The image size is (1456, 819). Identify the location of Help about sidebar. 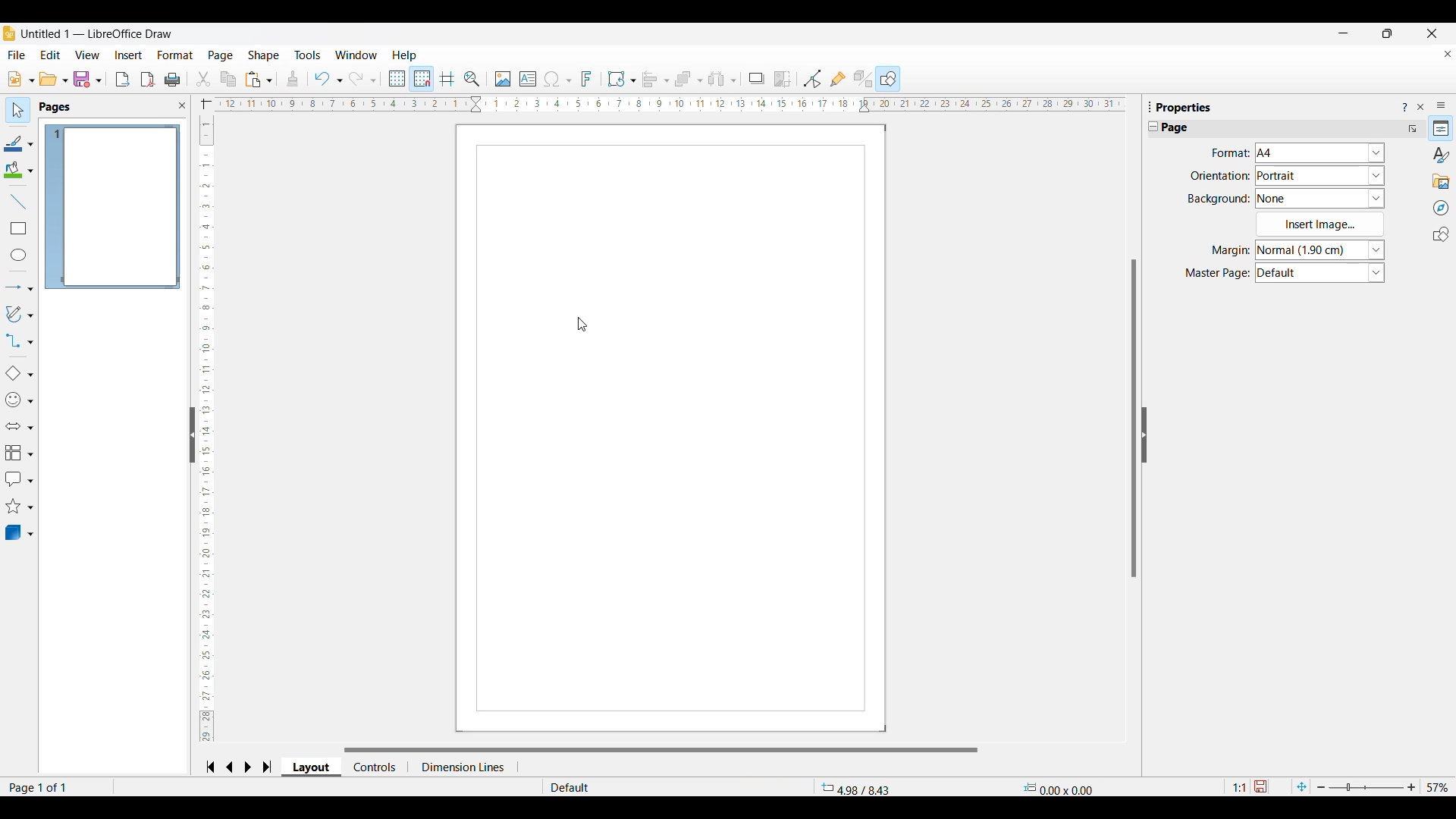
(1404, 108).